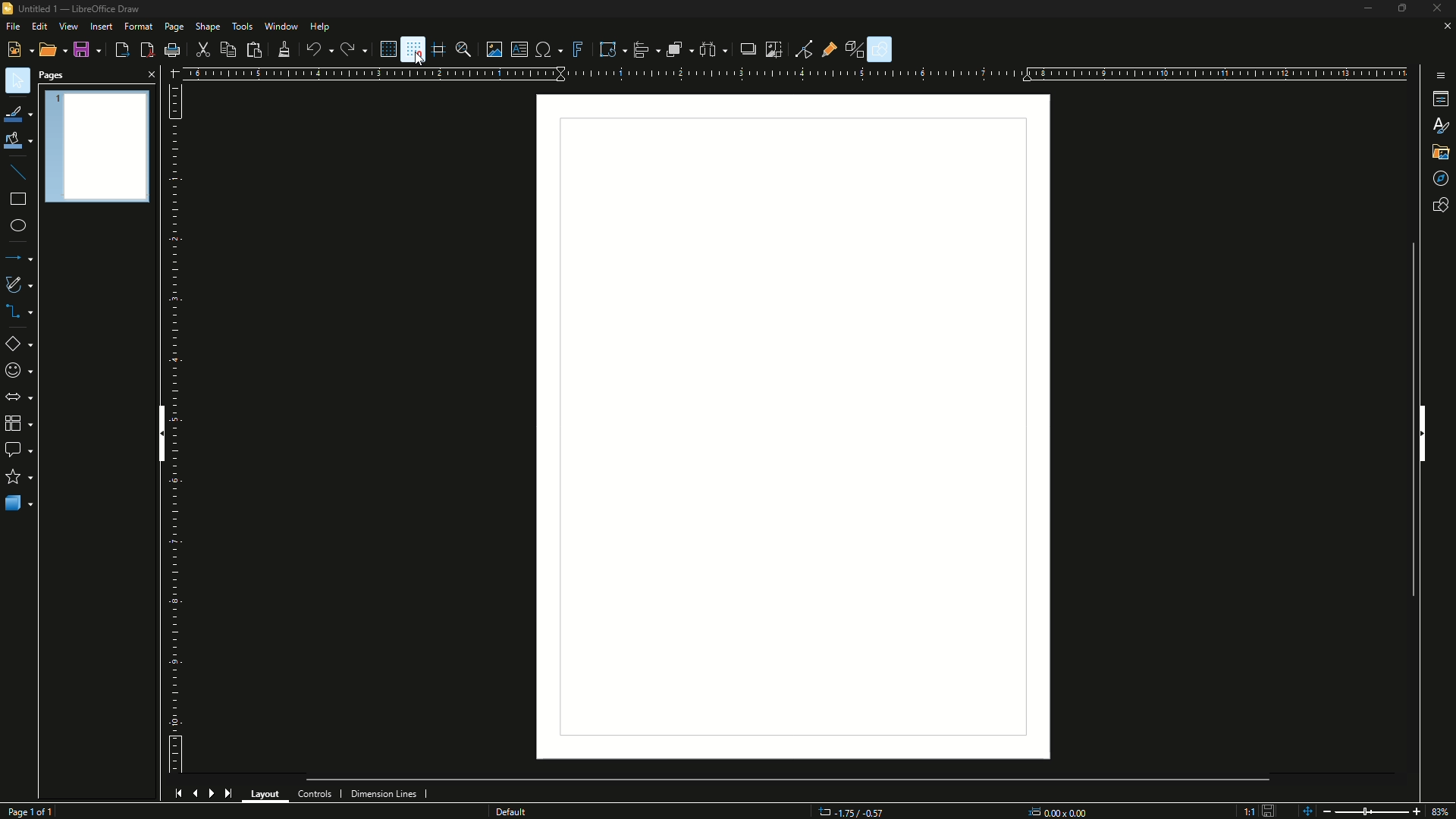  What do you see at coordinates (71, 27) in the screenshot?
I see `View` at bounding box center [71, 27].